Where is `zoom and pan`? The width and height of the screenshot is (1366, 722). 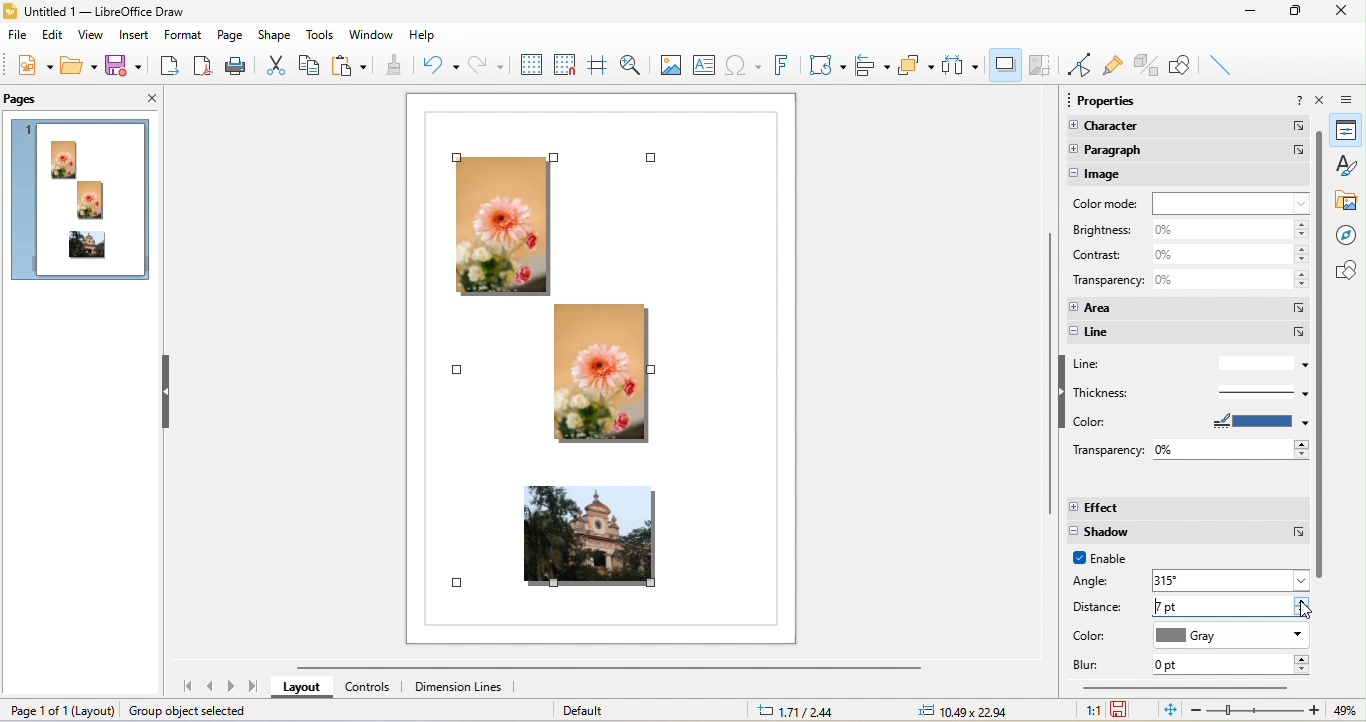 zoom and pan is located at coordinates (631, 65).